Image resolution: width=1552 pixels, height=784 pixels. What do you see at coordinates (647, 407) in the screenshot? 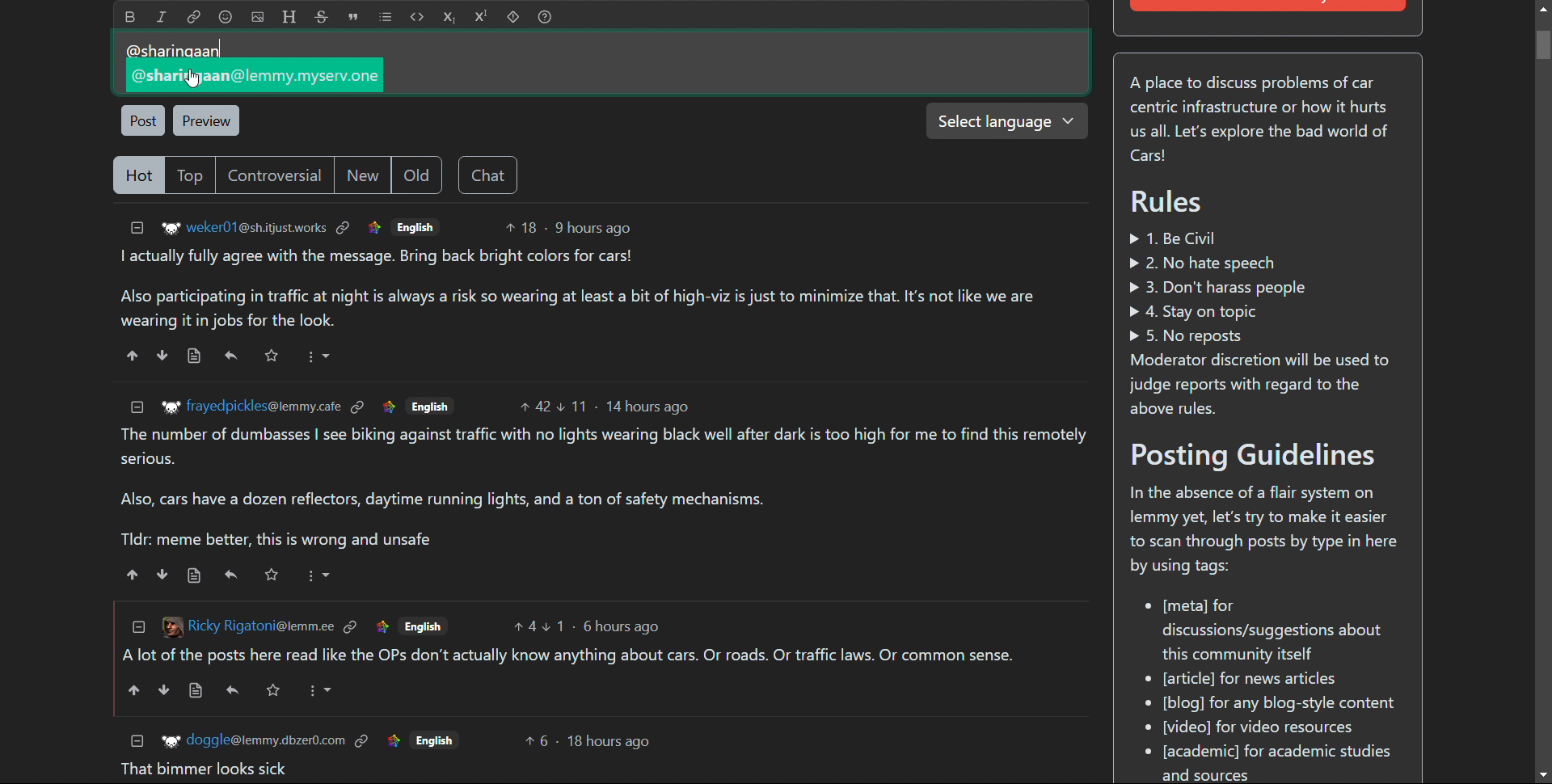
I see `14 hours ago` at bounding box center [647, 407].